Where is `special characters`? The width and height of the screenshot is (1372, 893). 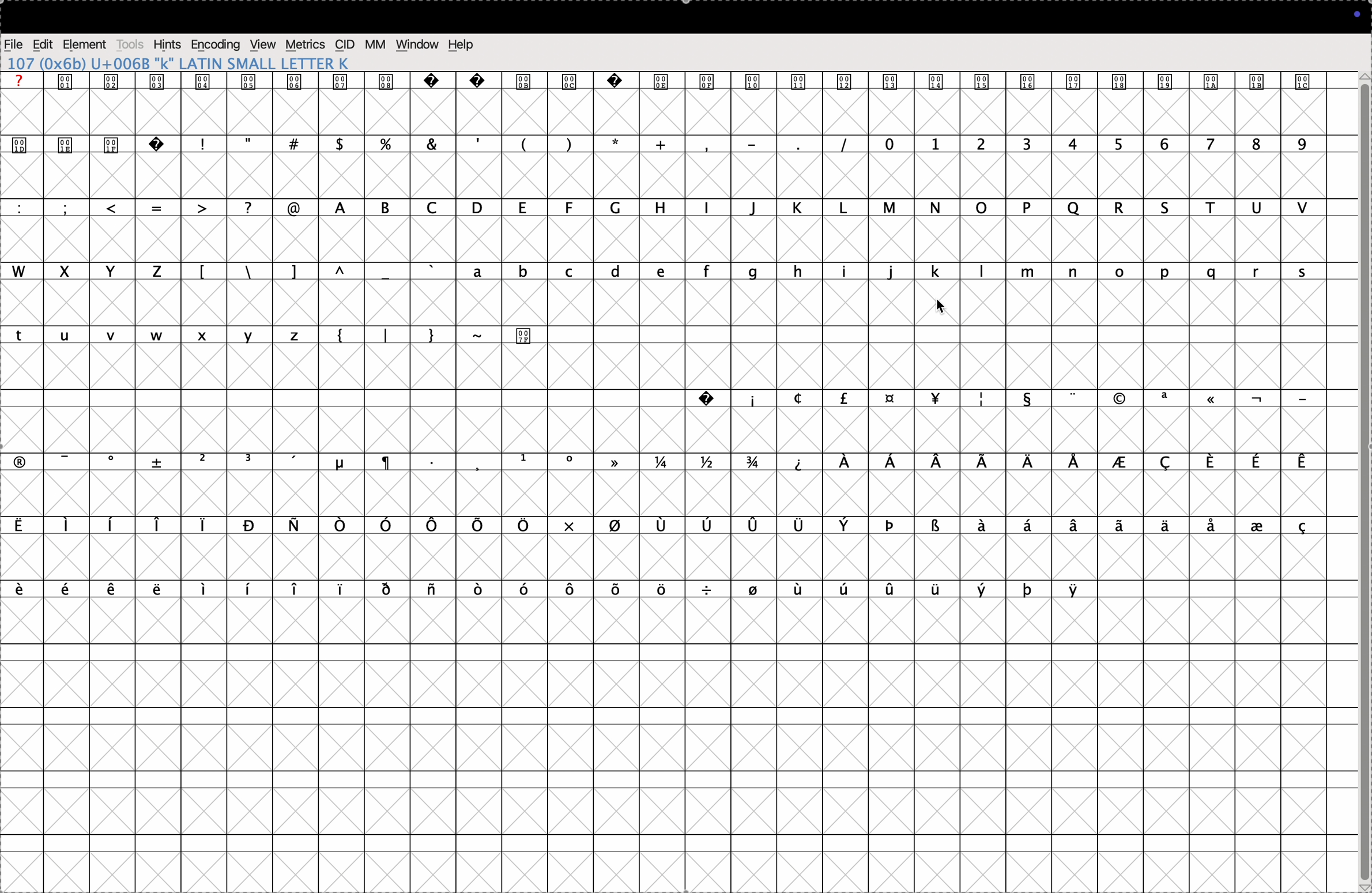 special characters is located at coordinates (687, 83).